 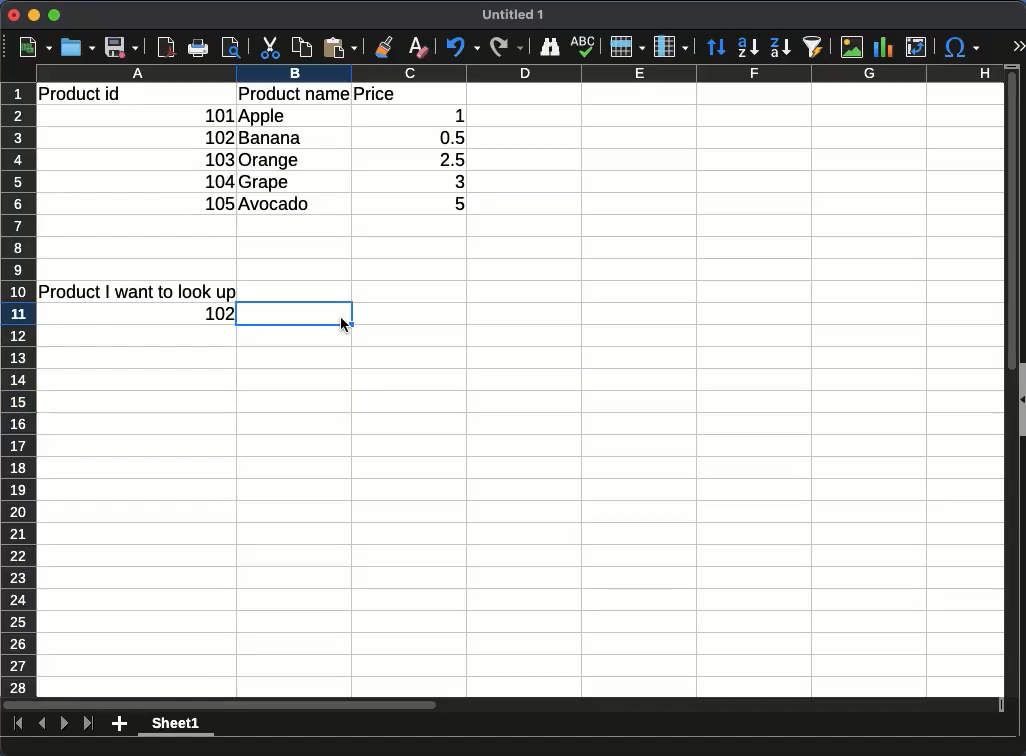 I want to click on maximize, so click(x=54, y=15).